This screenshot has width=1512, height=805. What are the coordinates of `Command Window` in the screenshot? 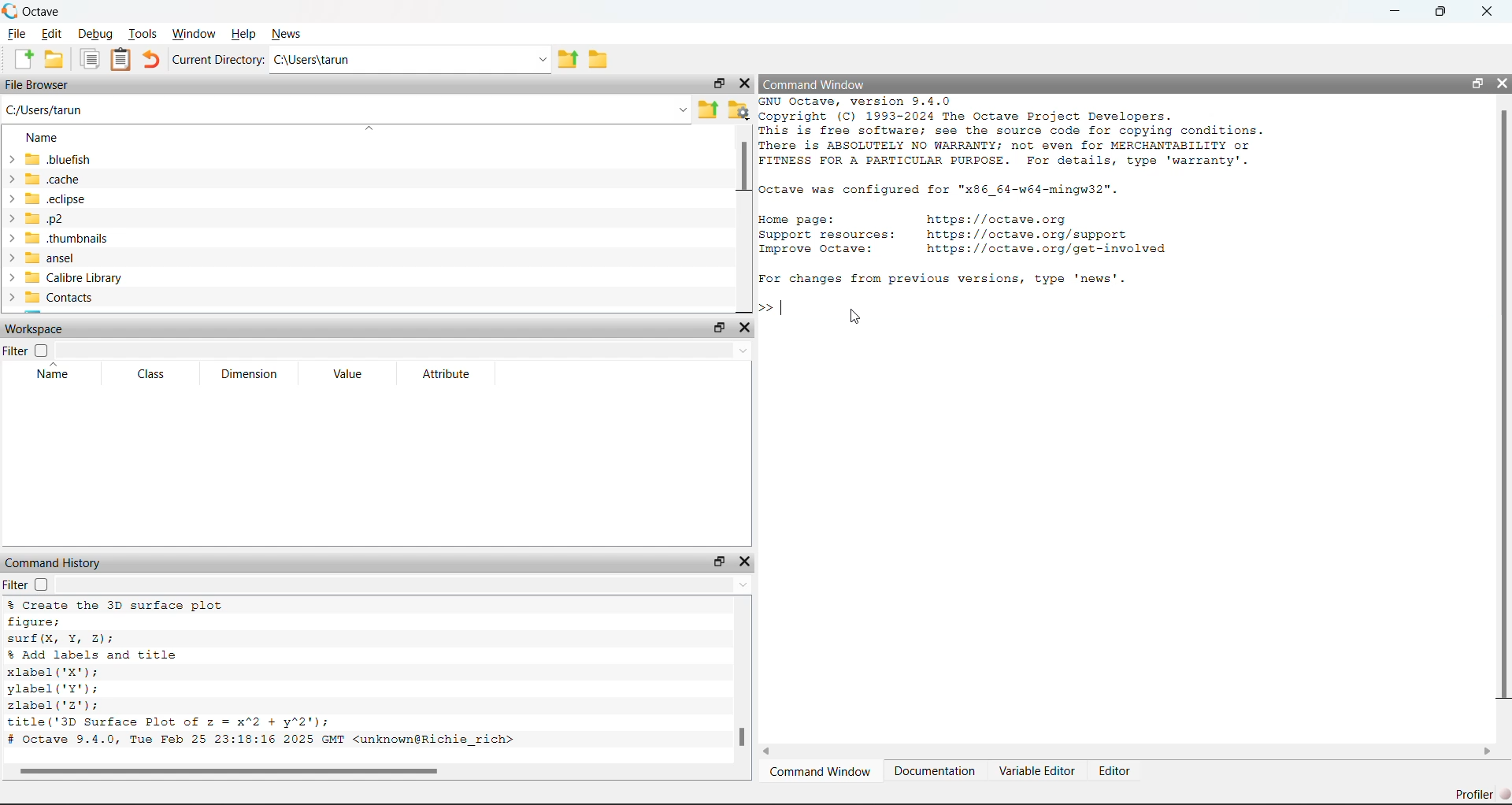 It's located at (814, 83).